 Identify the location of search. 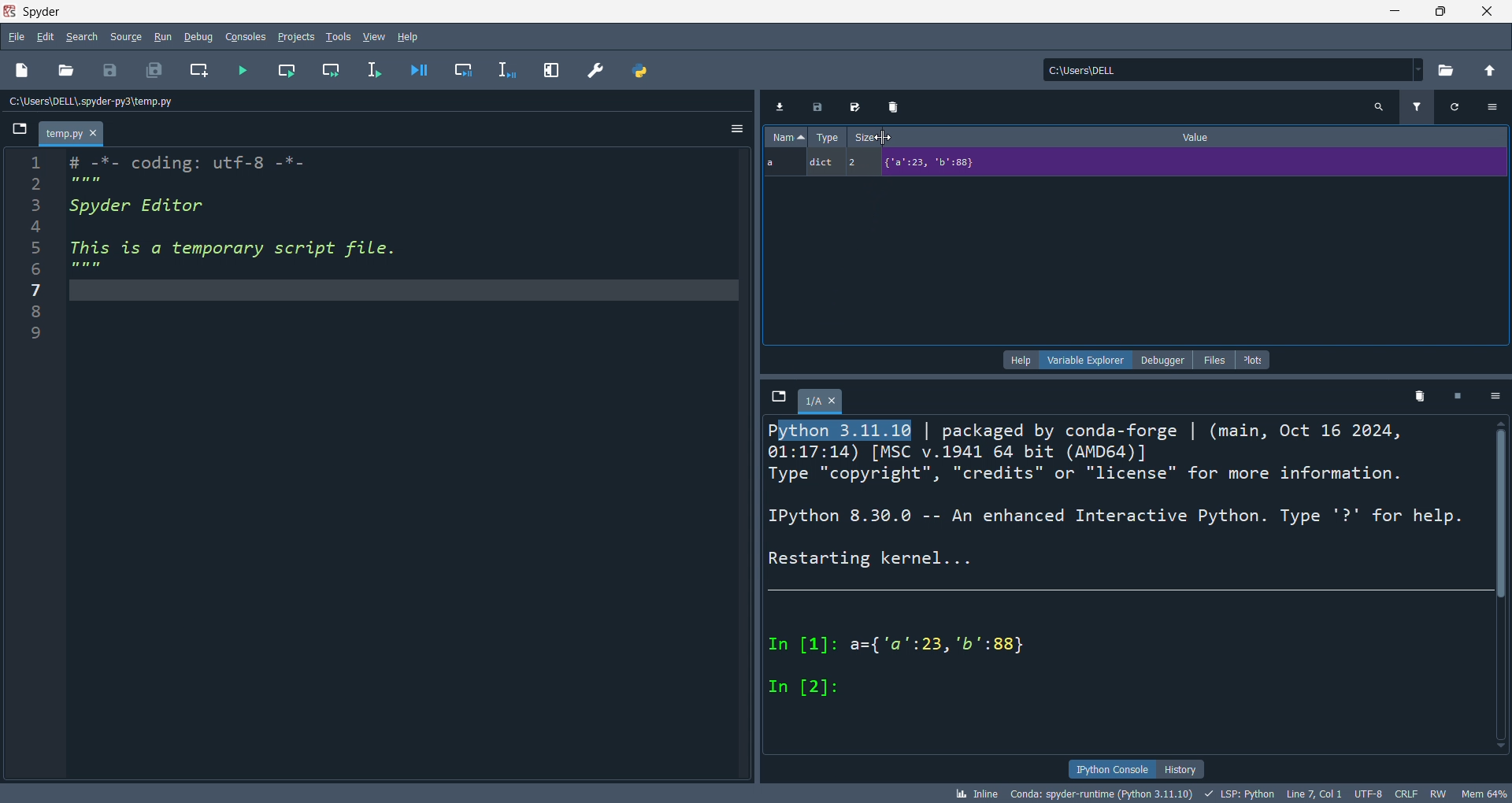
(83, 35).